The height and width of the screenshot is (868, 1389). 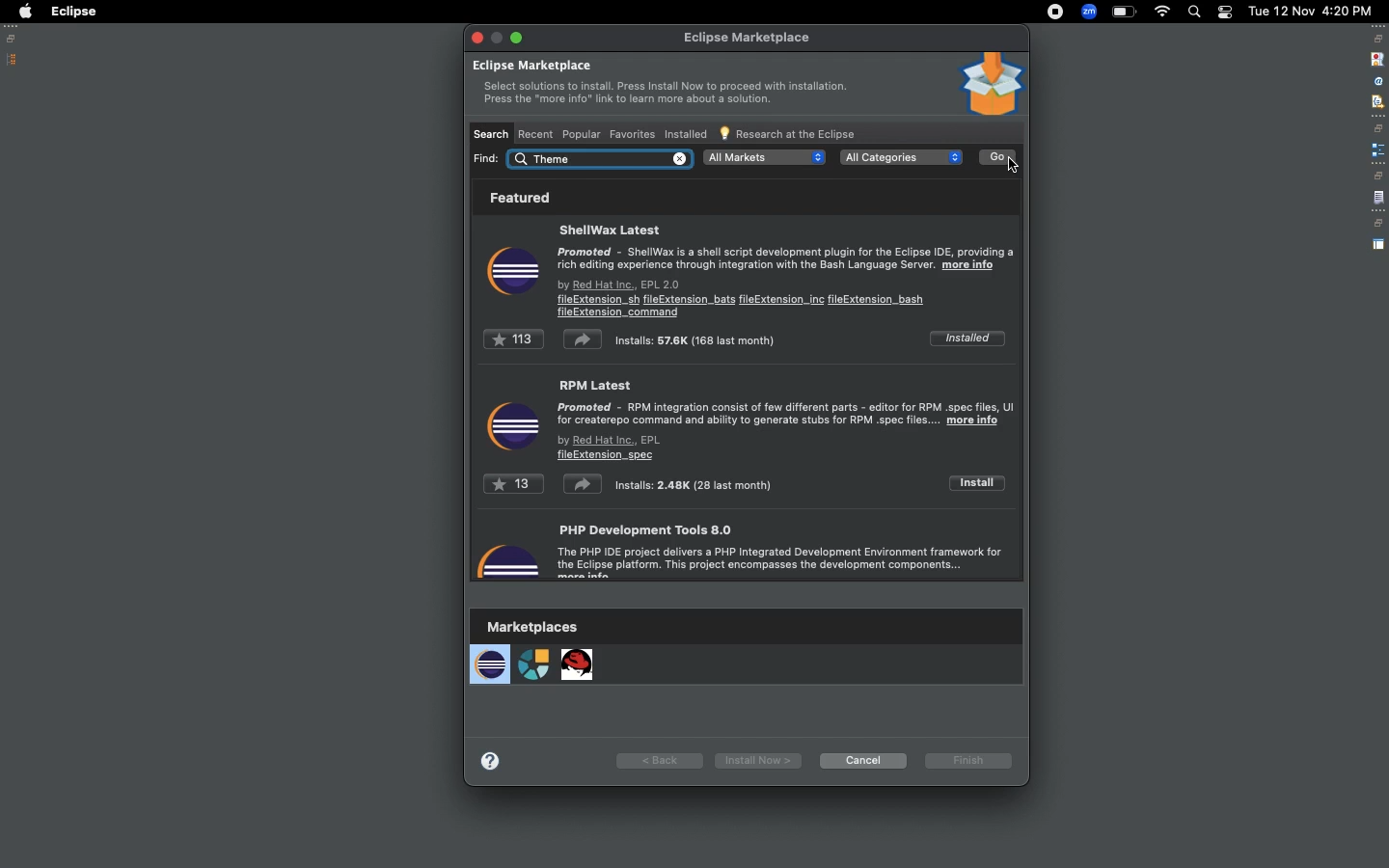 I want to click on Installs, so click(x=628, y=487).